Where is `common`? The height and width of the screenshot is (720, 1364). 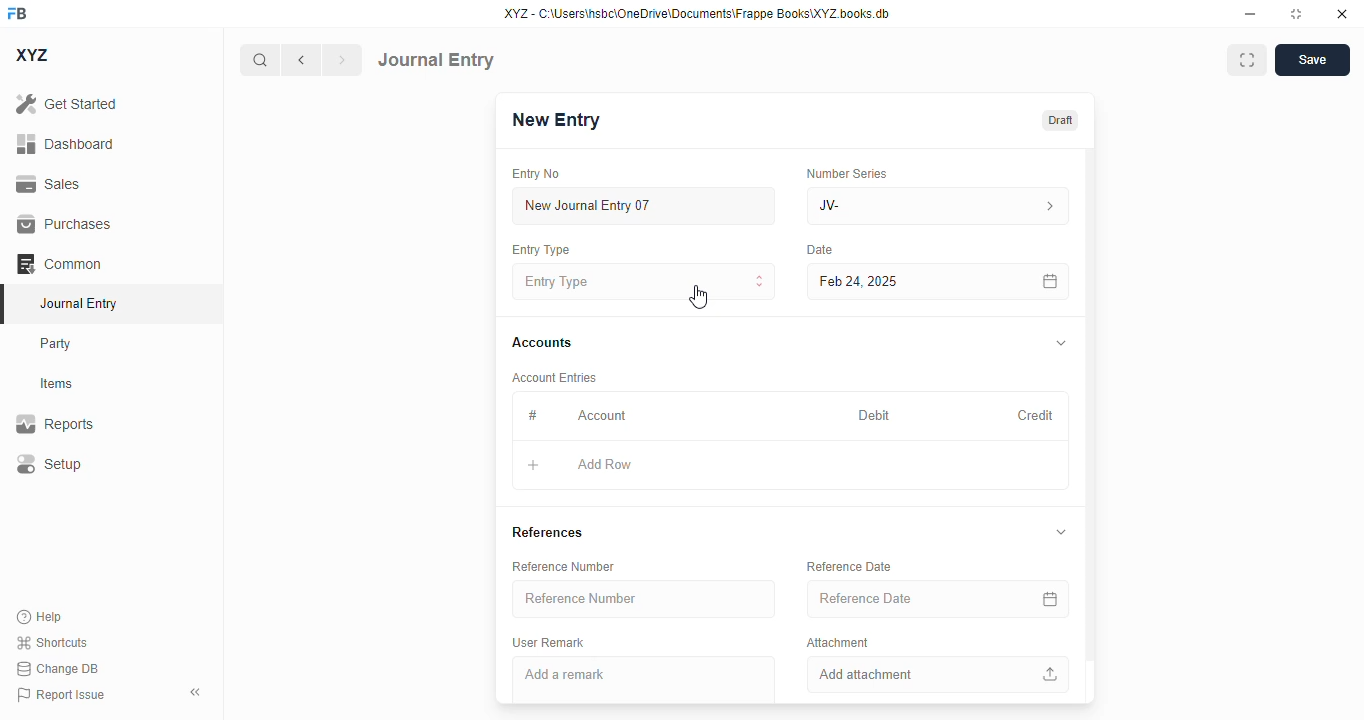 common is located at coordinates (59, 263).